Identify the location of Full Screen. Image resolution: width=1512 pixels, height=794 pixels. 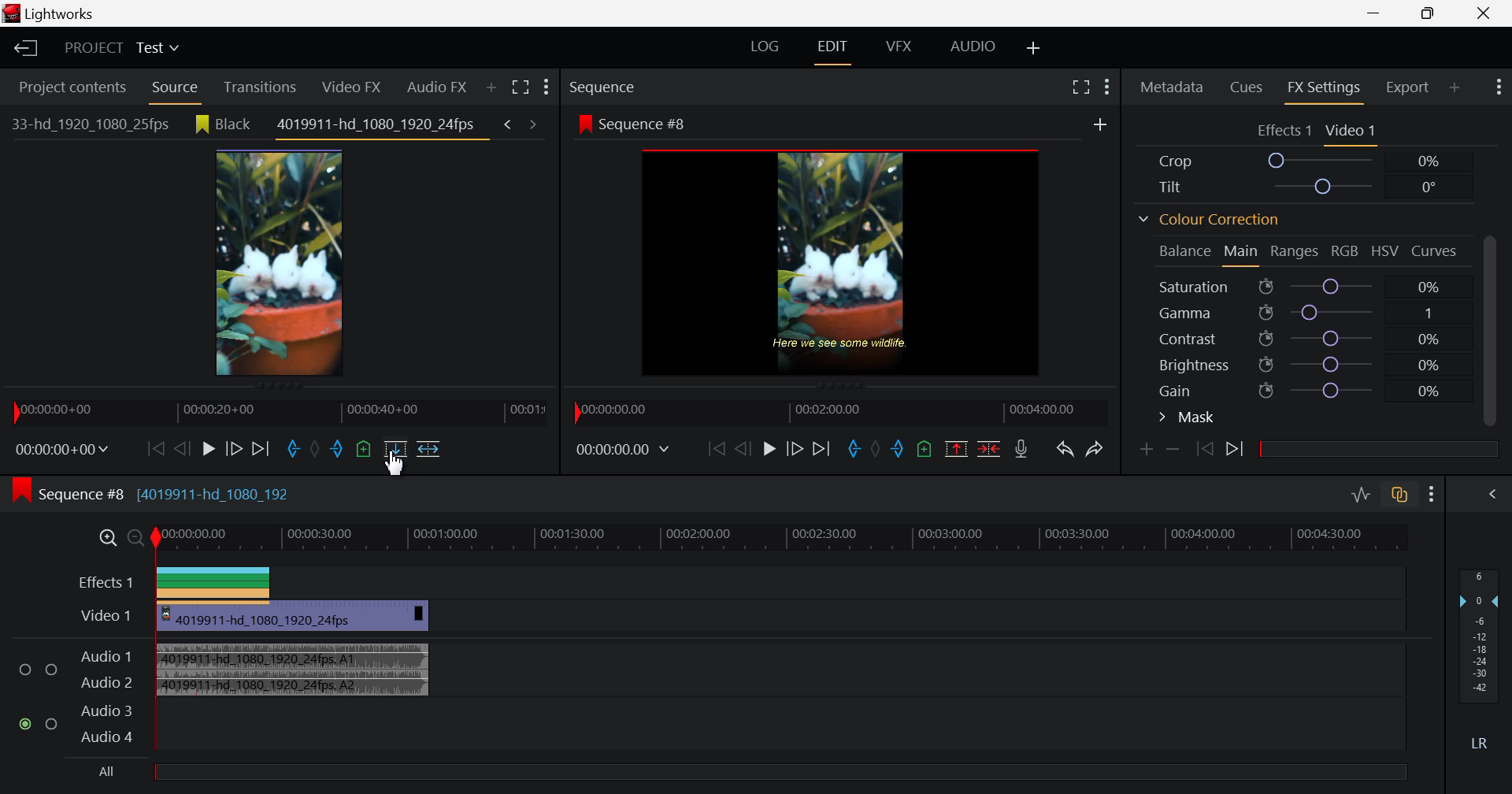
(1081, 86).